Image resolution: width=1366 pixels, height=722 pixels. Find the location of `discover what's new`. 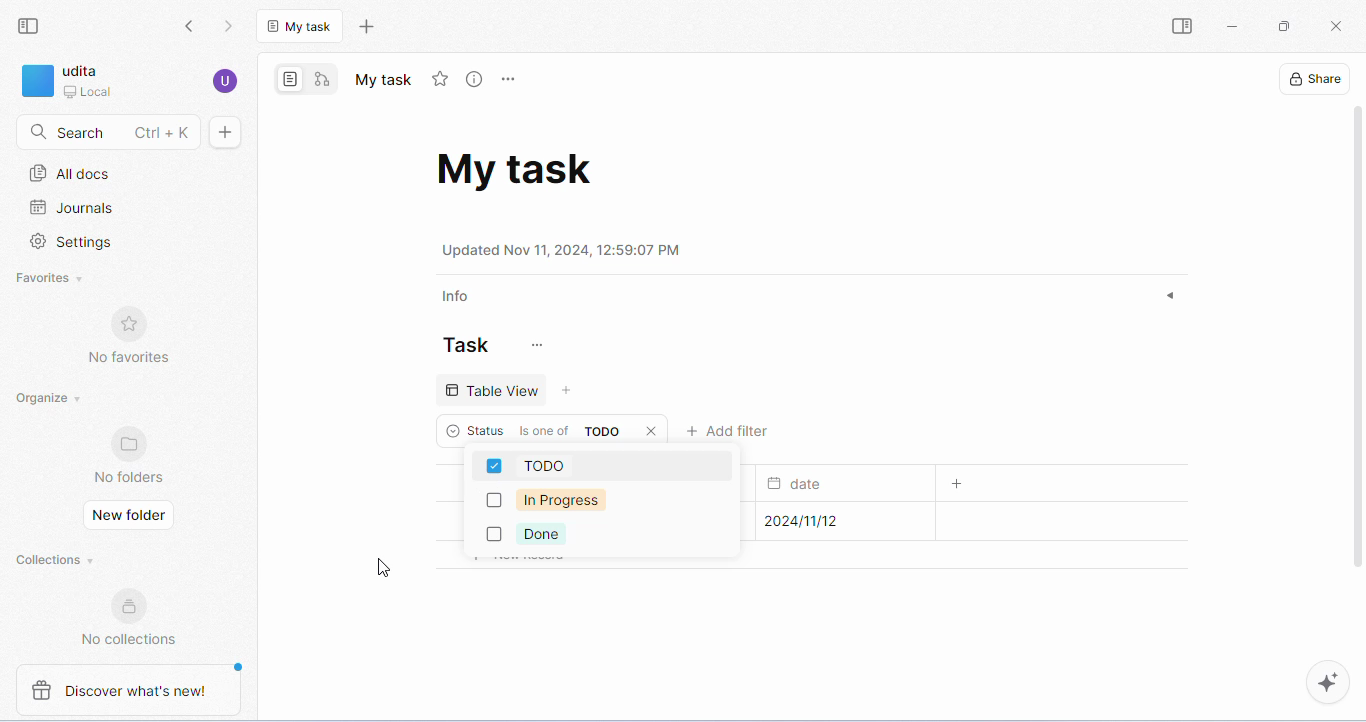

discover what's new is located at coordinates (126, 690).